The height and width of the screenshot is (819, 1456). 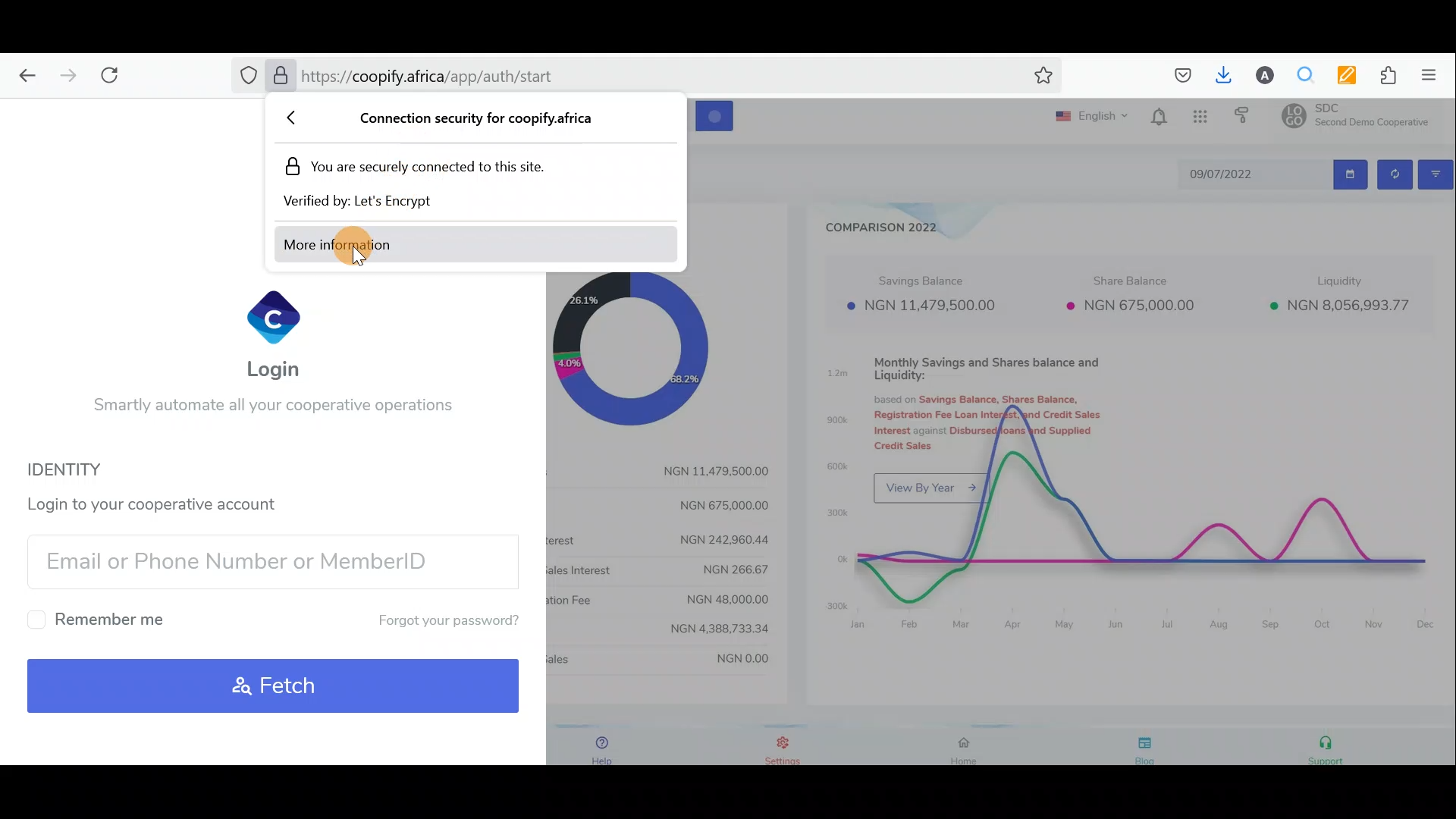 I want to click on Fetch, so click(x=275, y=686).